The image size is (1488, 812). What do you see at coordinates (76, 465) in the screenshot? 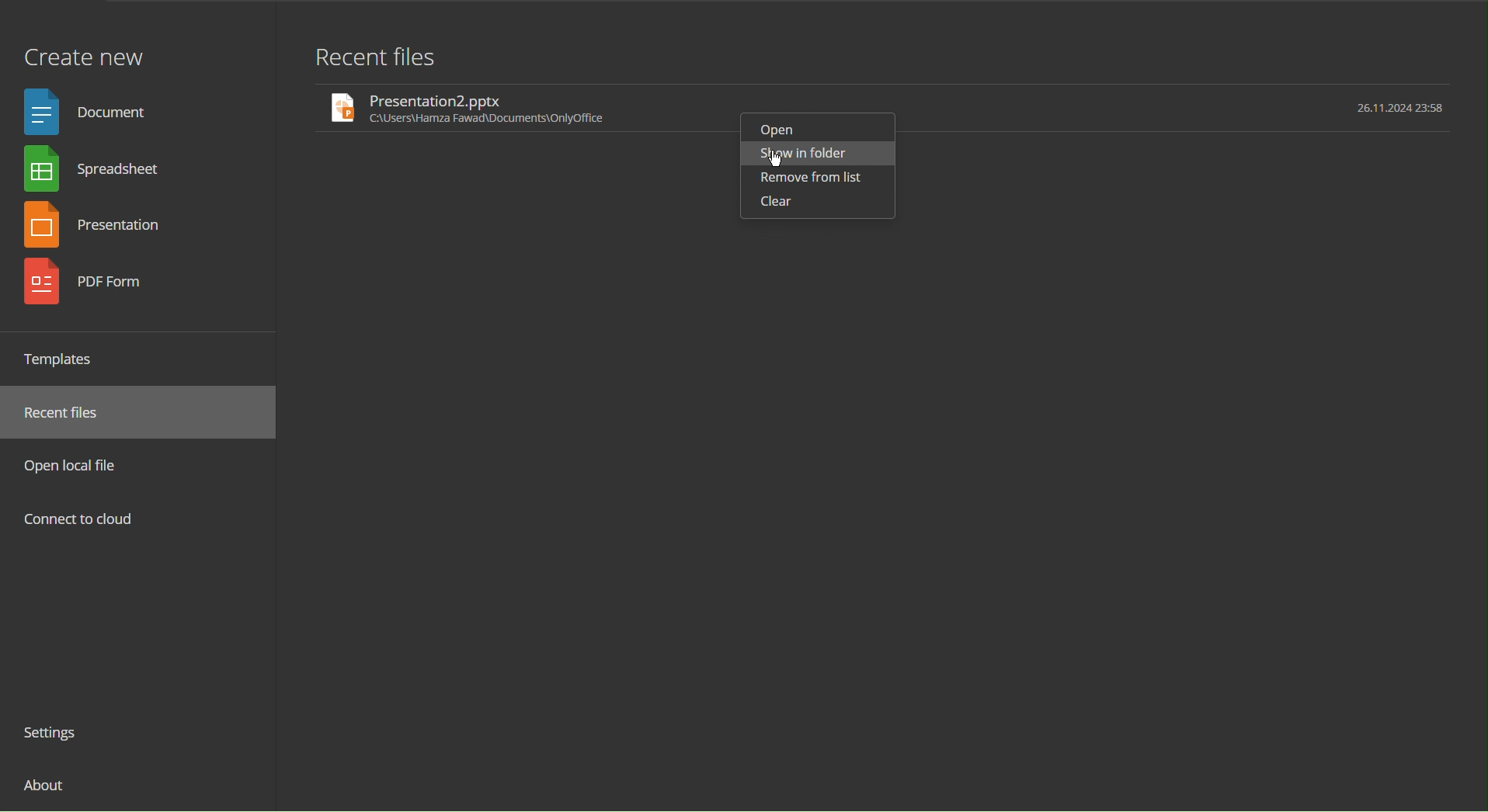
I see `Open Local File` at bounding box center [76, 465].